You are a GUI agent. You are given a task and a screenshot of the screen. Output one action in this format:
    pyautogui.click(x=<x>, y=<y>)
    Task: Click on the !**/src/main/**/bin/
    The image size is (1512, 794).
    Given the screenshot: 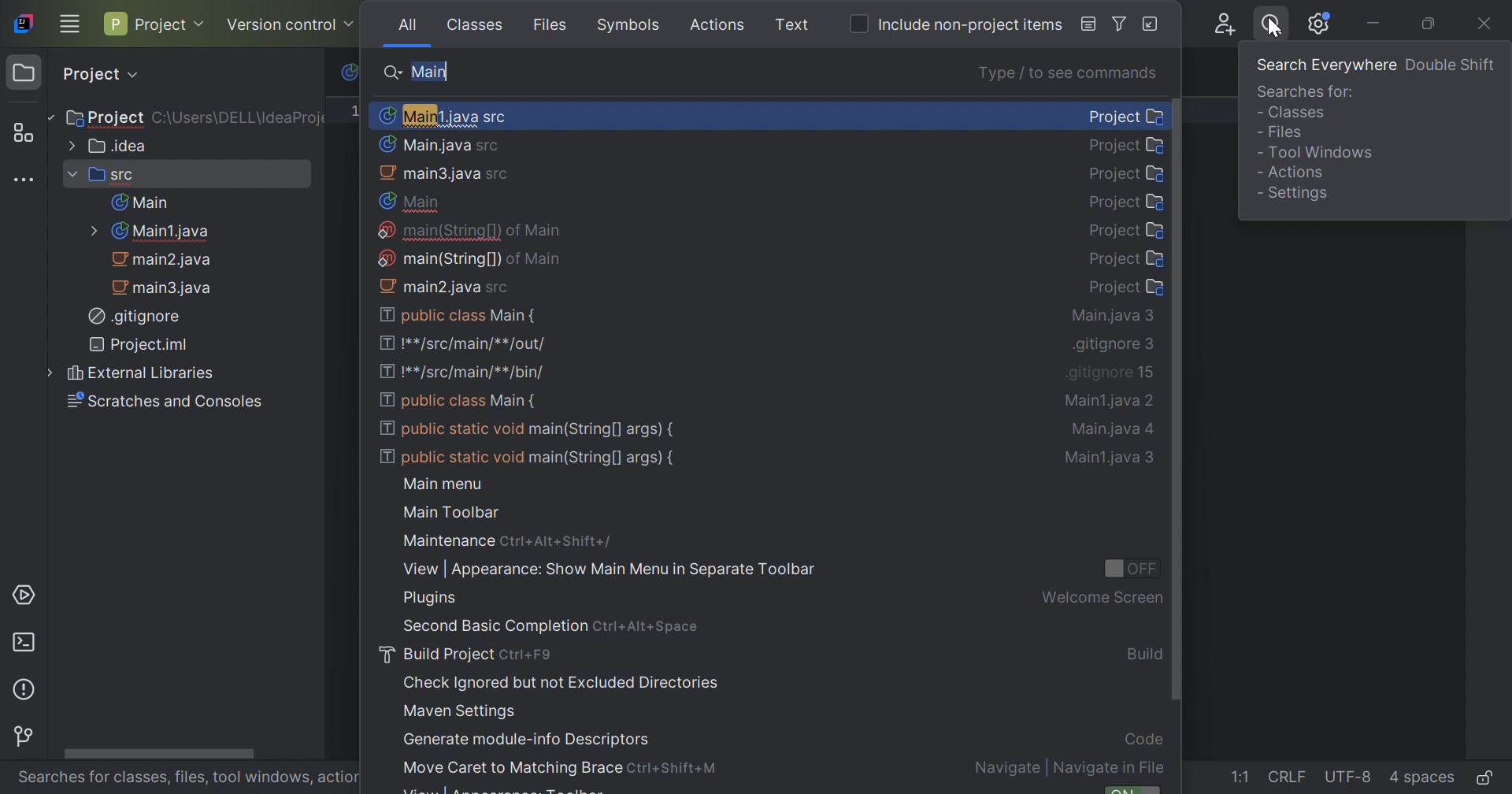 What is the action you would take?
    pyautogui.click(x=467, y=374)
    